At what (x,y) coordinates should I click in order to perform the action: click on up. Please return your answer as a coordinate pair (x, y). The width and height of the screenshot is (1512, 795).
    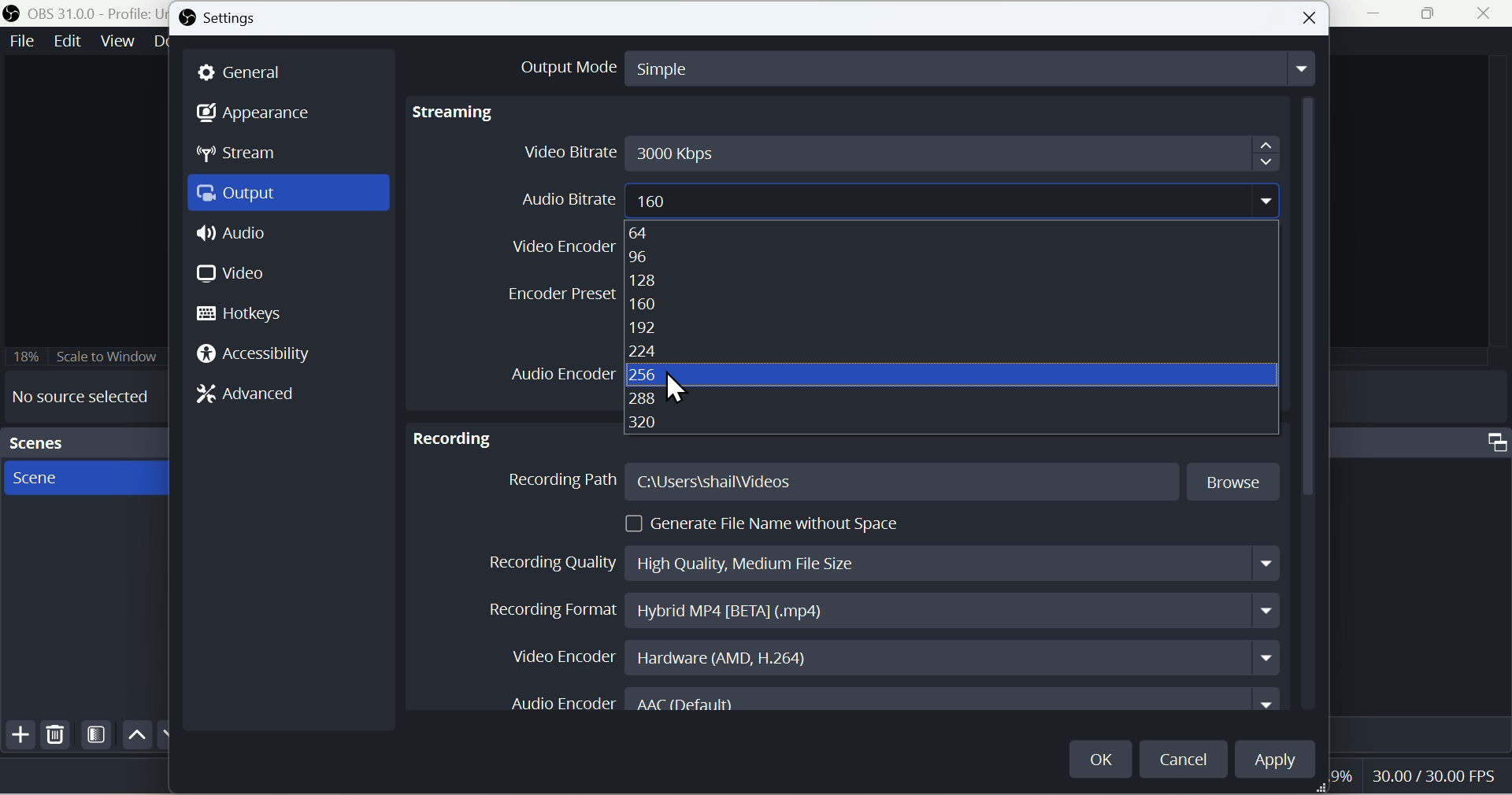
    Looking at the image, I should click on (135, 734).